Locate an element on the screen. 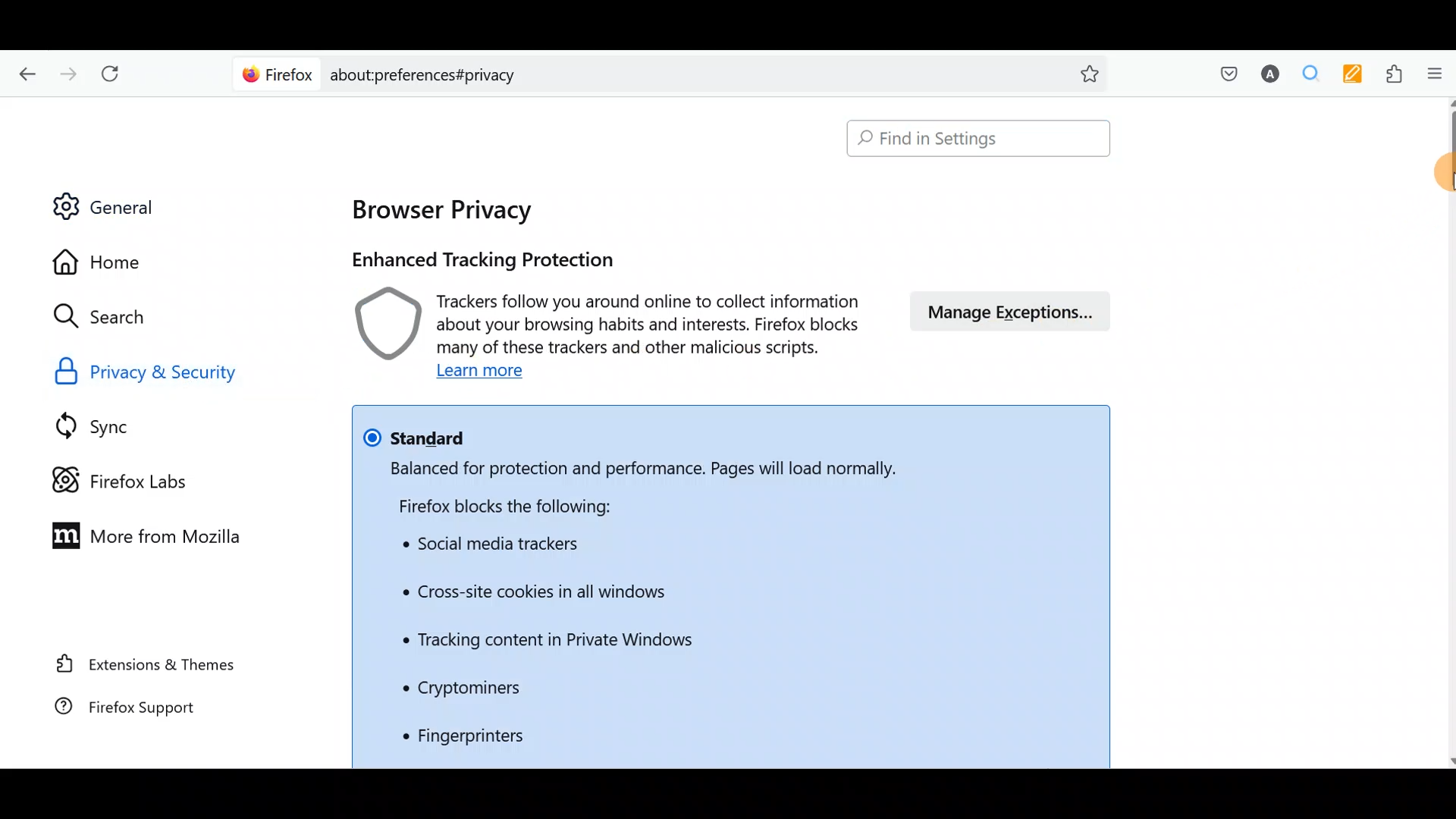  Search icon is located at coordinates (115, 317).